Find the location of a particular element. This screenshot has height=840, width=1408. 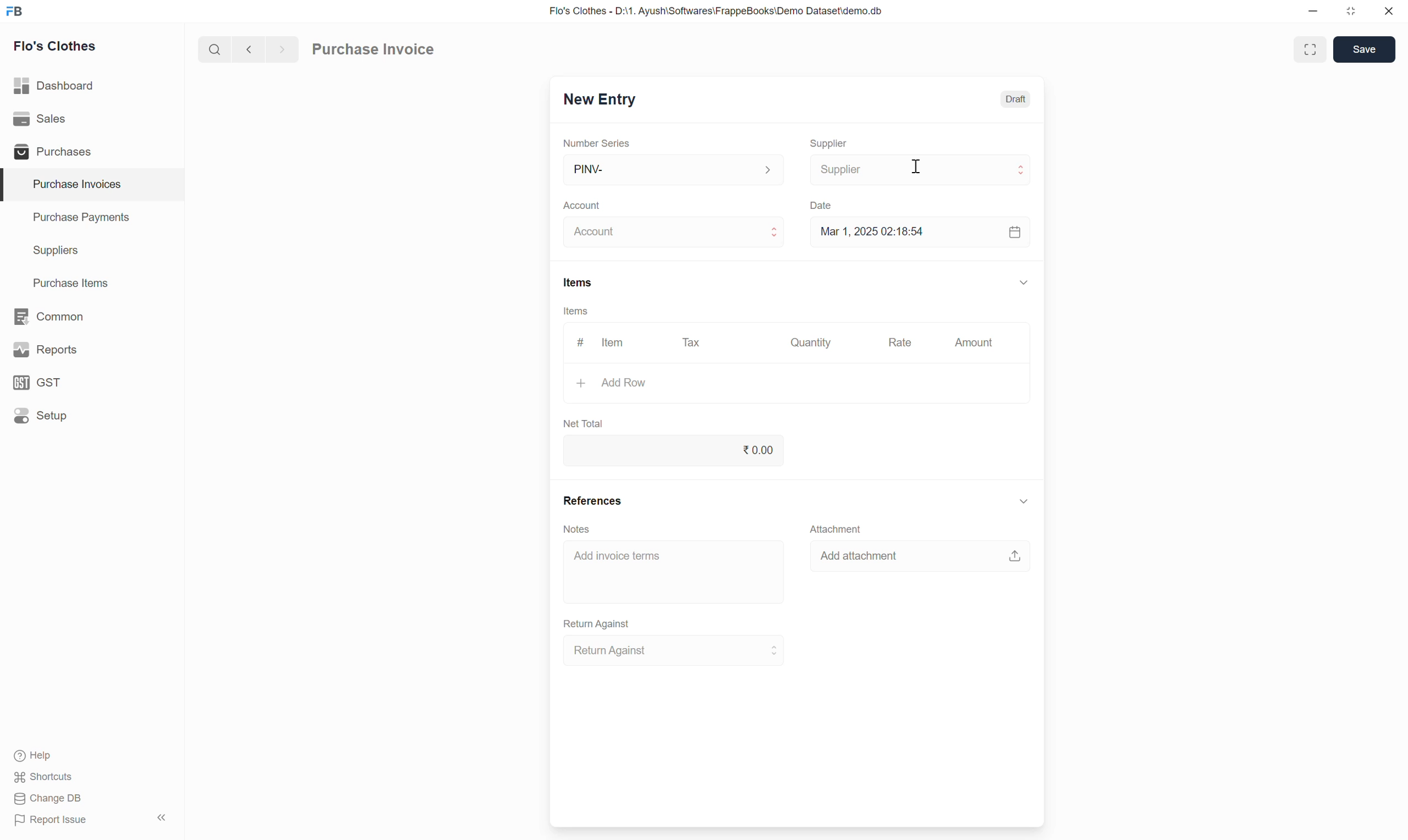

Sales is located at coordinates (92, 119).